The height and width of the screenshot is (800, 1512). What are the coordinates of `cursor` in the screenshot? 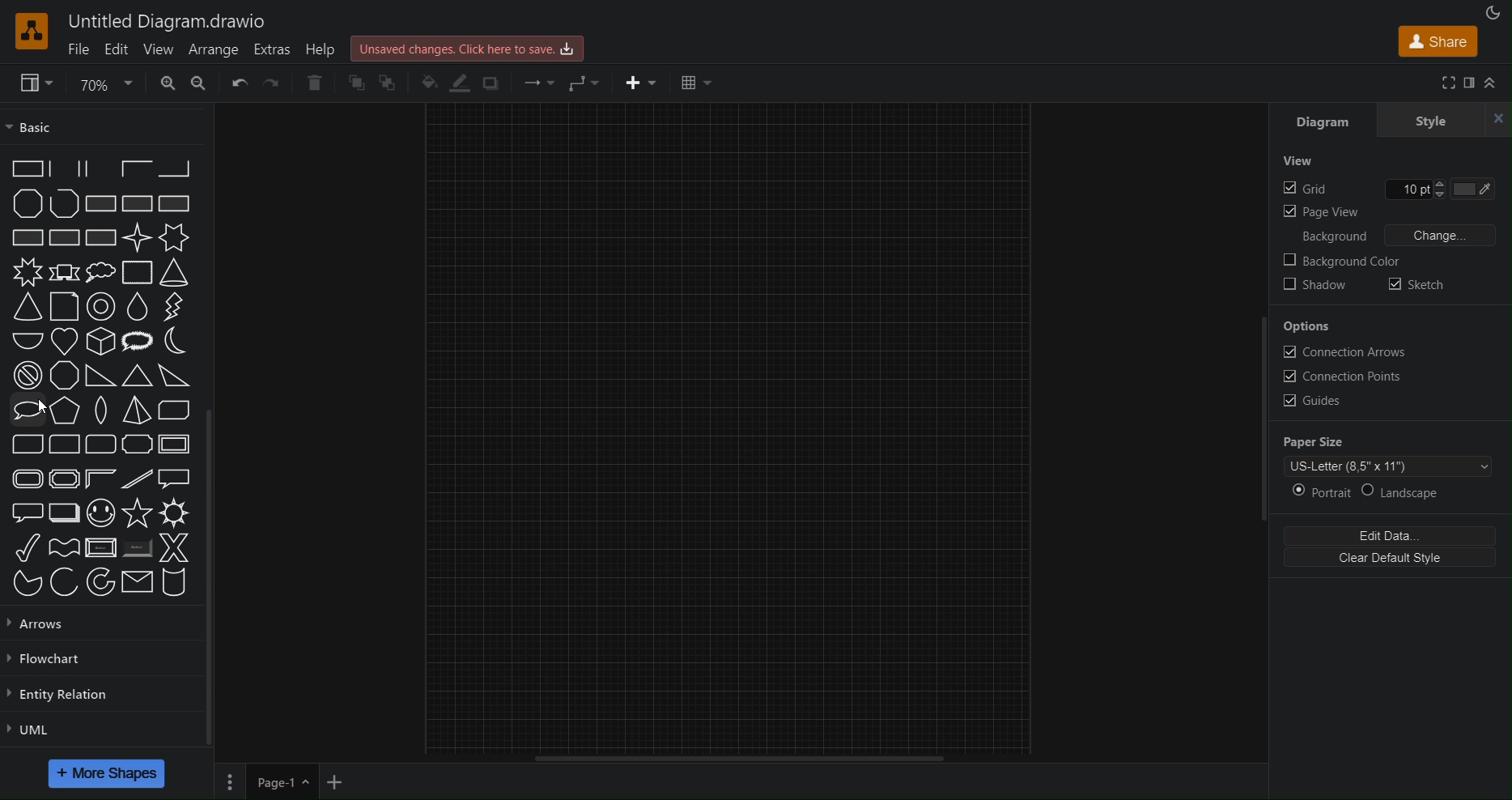 It's located at (44, 406).